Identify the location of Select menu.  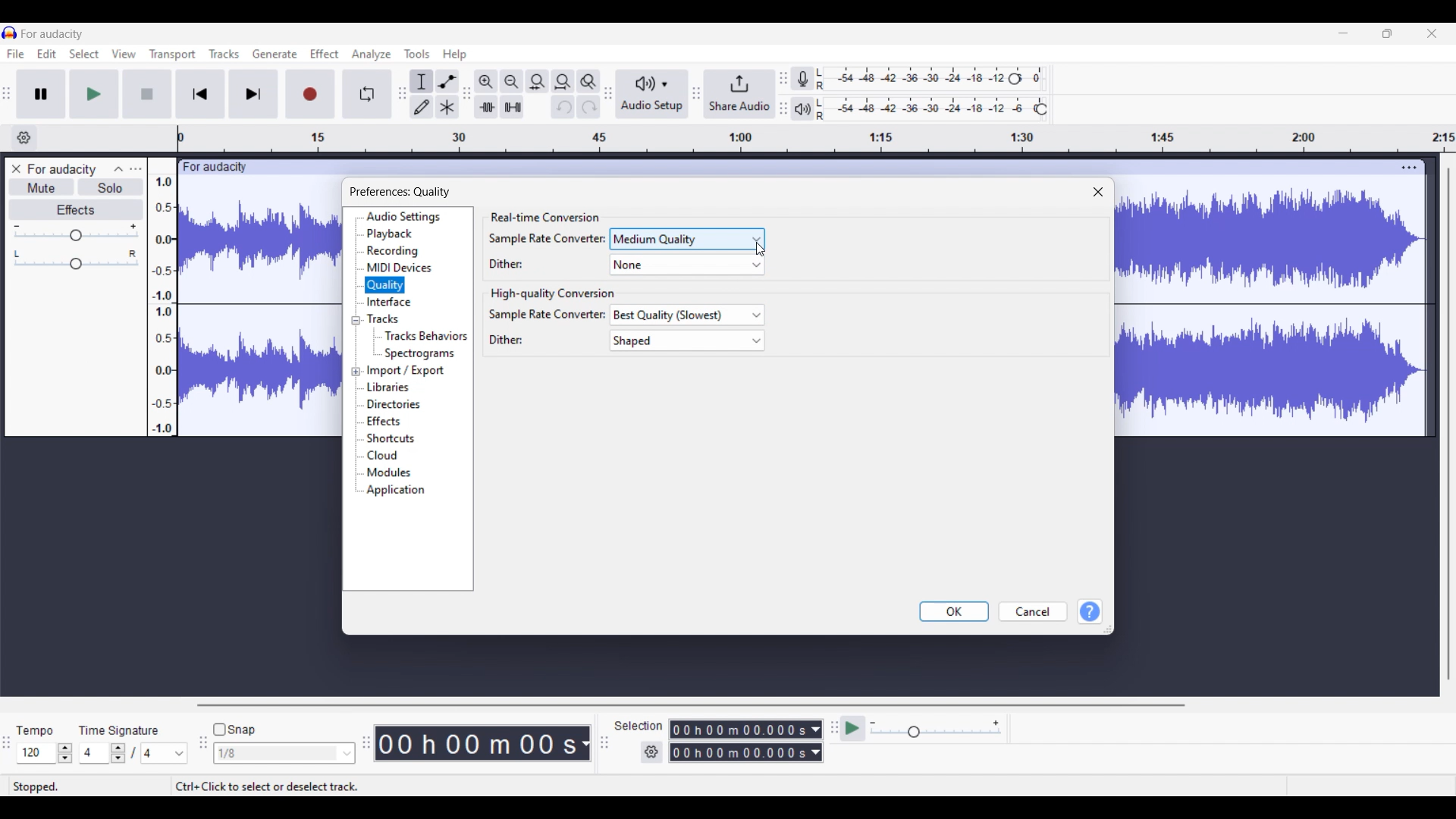
(84, 53).